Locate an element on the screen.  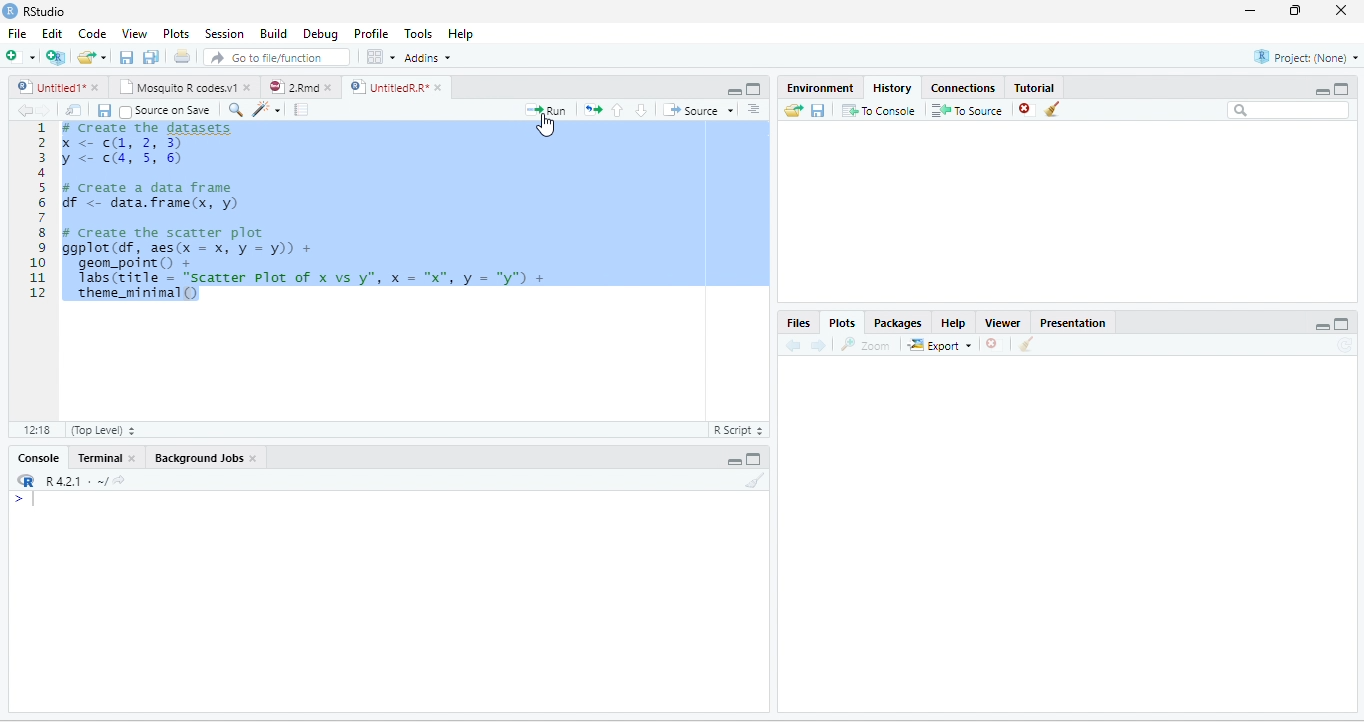
Refresh current plot is located at coordinates (1344, 344).